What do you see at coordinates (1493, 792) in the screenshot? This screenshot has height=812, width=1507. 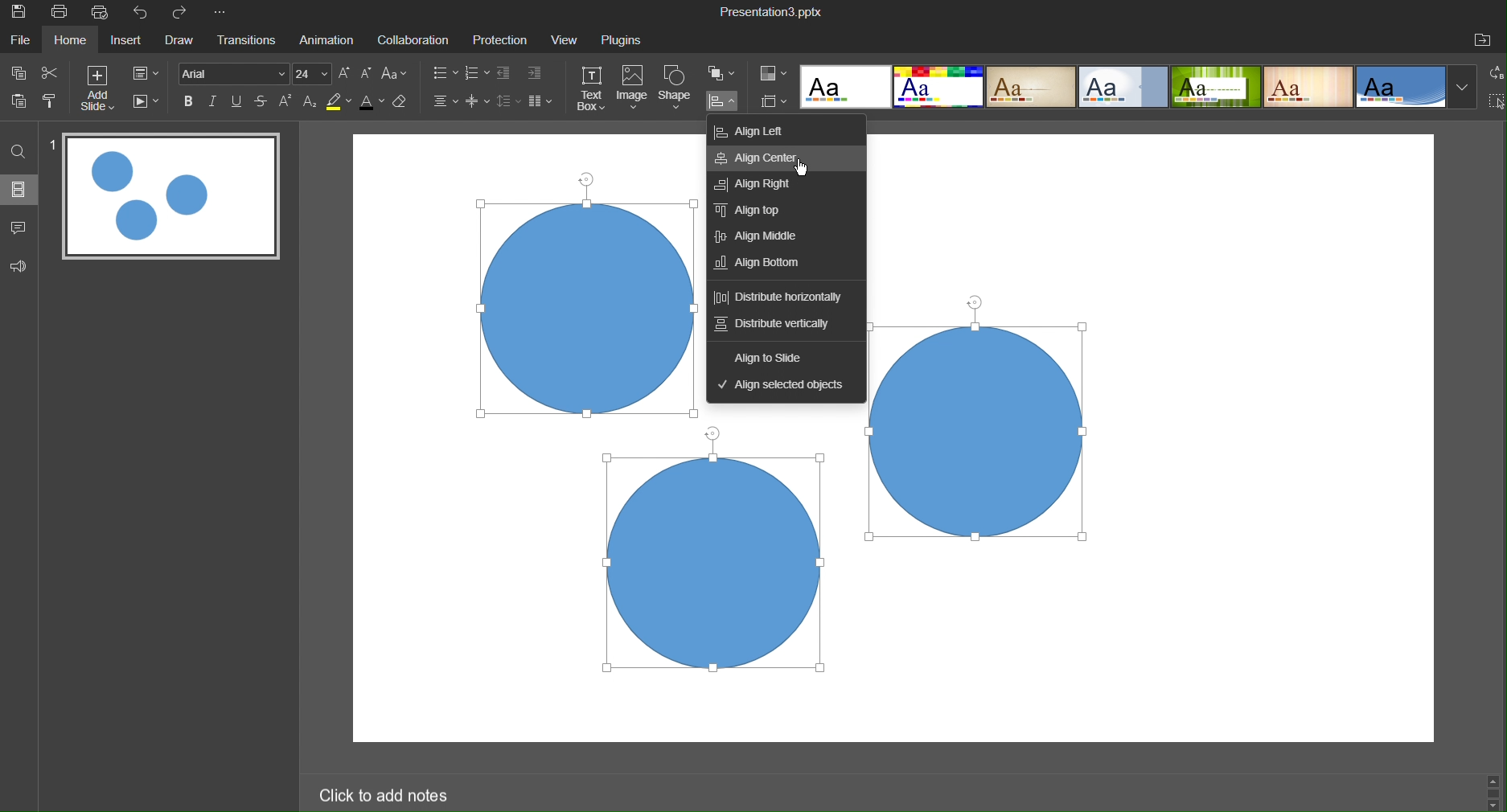 I see `Scroll bar ` at bounding box center [1493, 792].